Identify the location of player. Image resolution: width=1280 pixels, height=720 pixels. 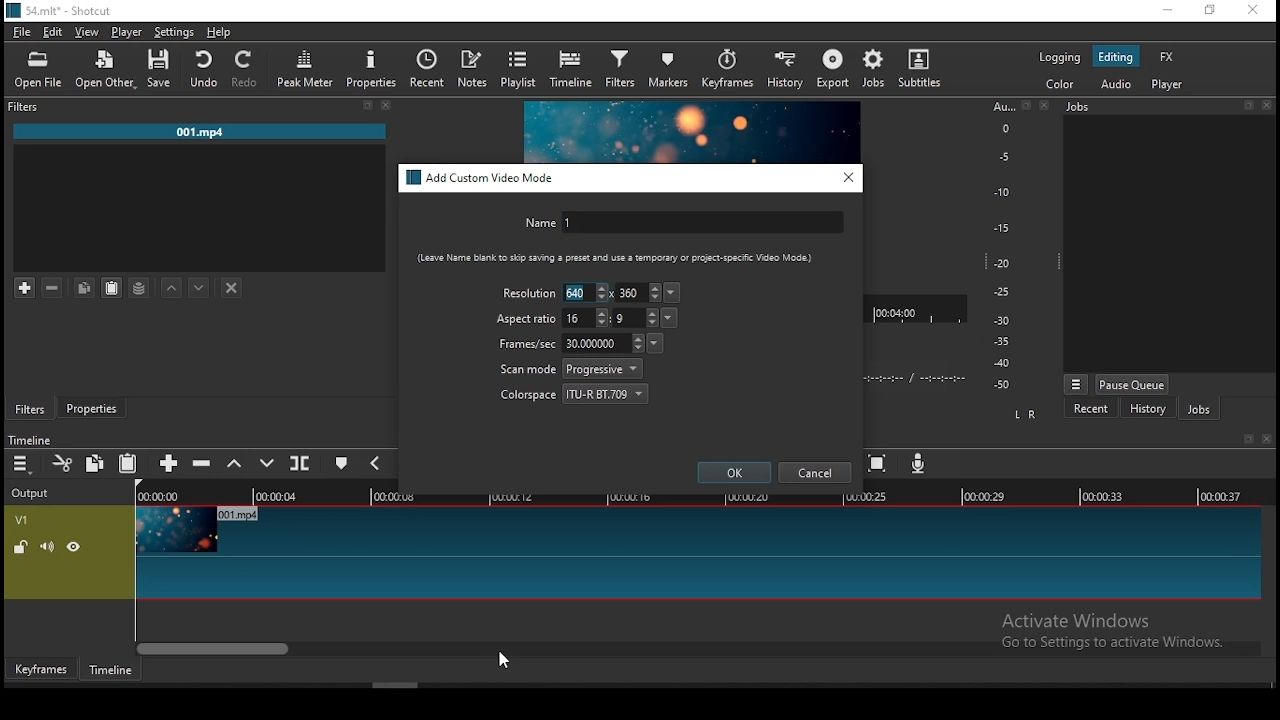
(128, 33).